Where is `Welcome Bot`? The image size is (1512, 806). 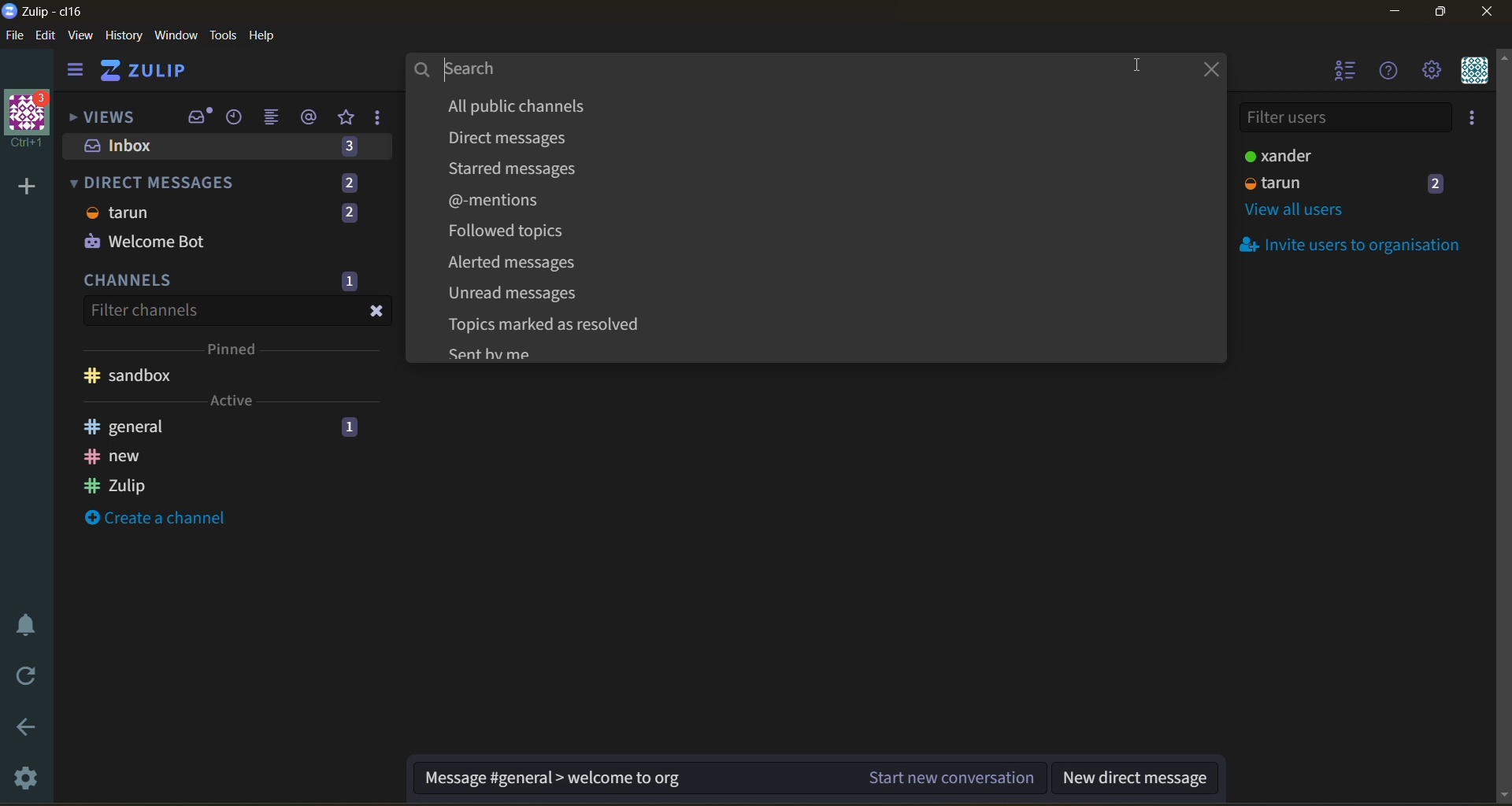 Welcome Bot is located at coordinates (144, 239).